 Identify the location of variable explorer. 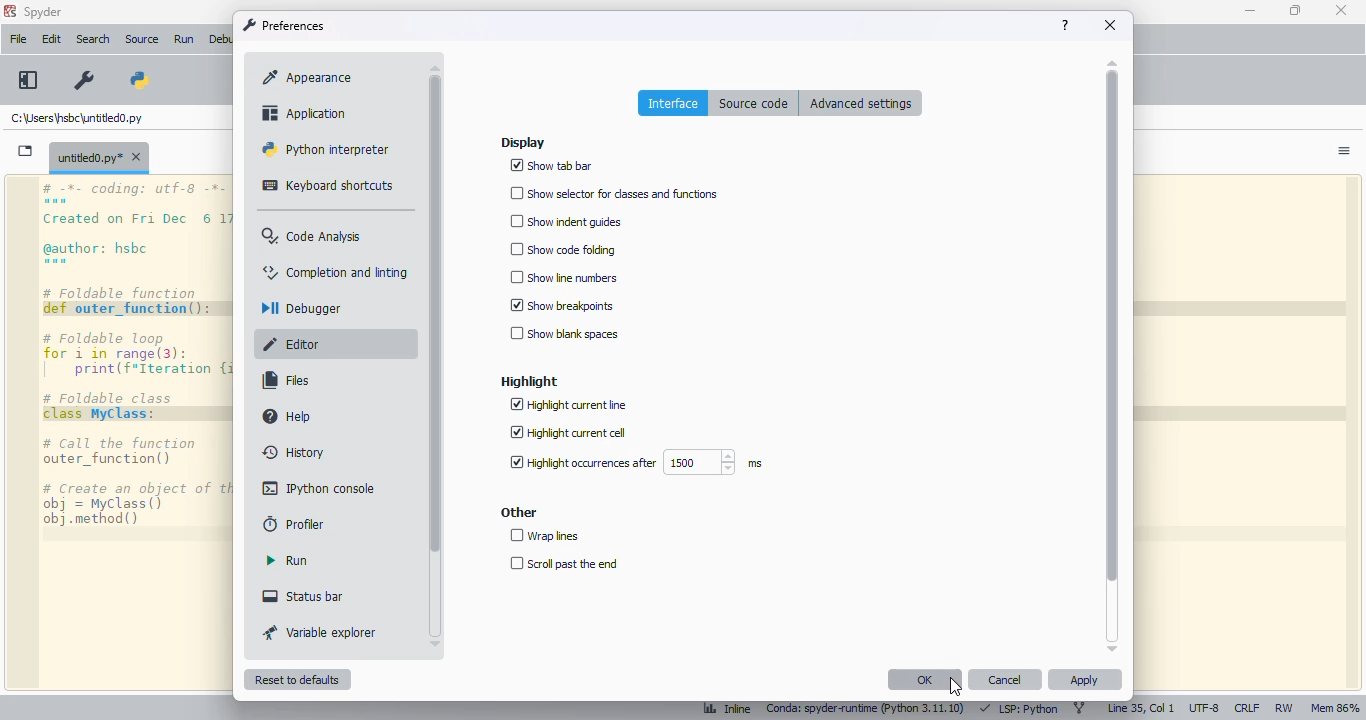
(320, 632).